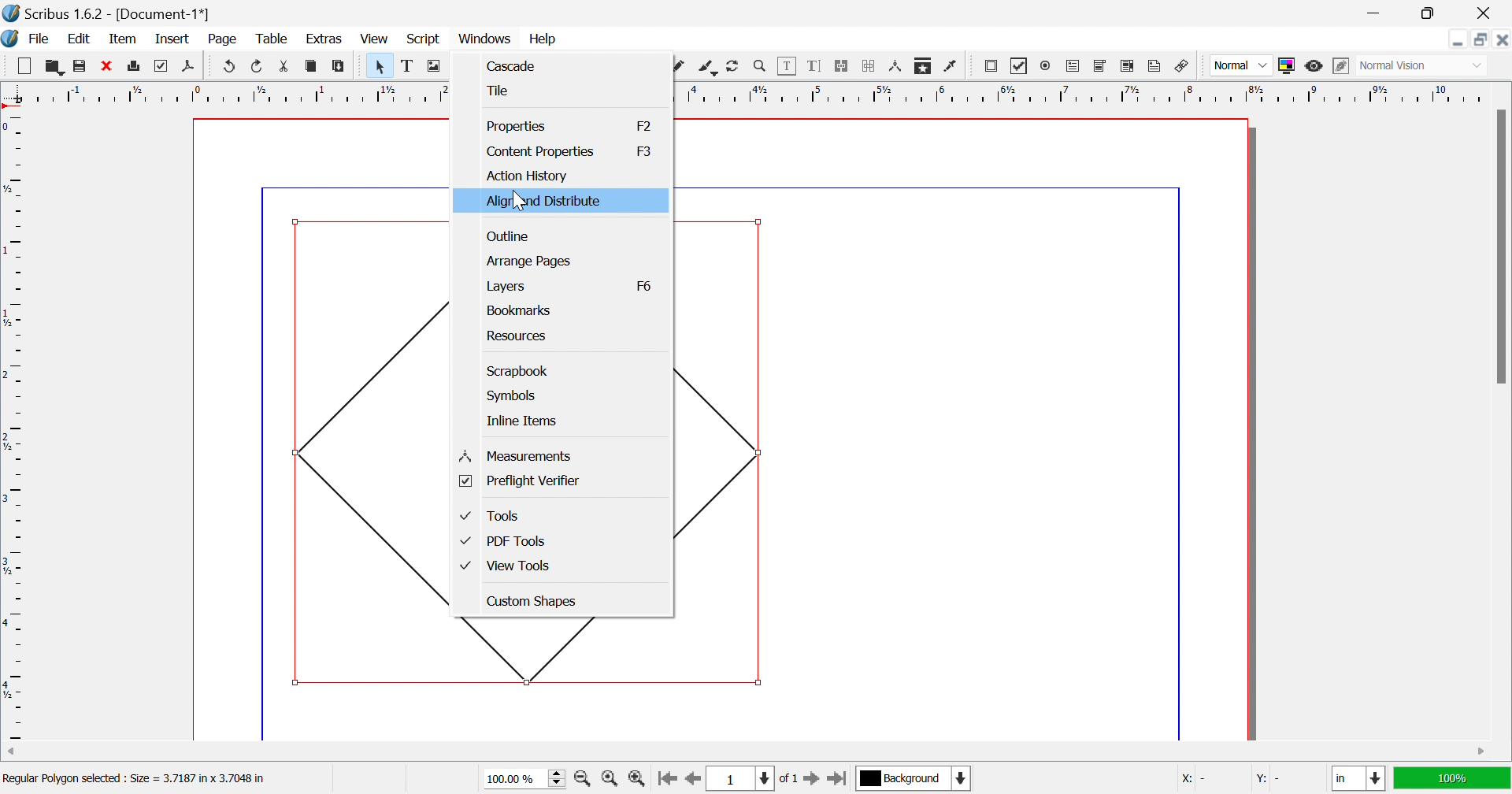 The image size is (1512, 794). Describe the element at coordinates (543, 151) in the screenshot. I see `Content properties` at that location.